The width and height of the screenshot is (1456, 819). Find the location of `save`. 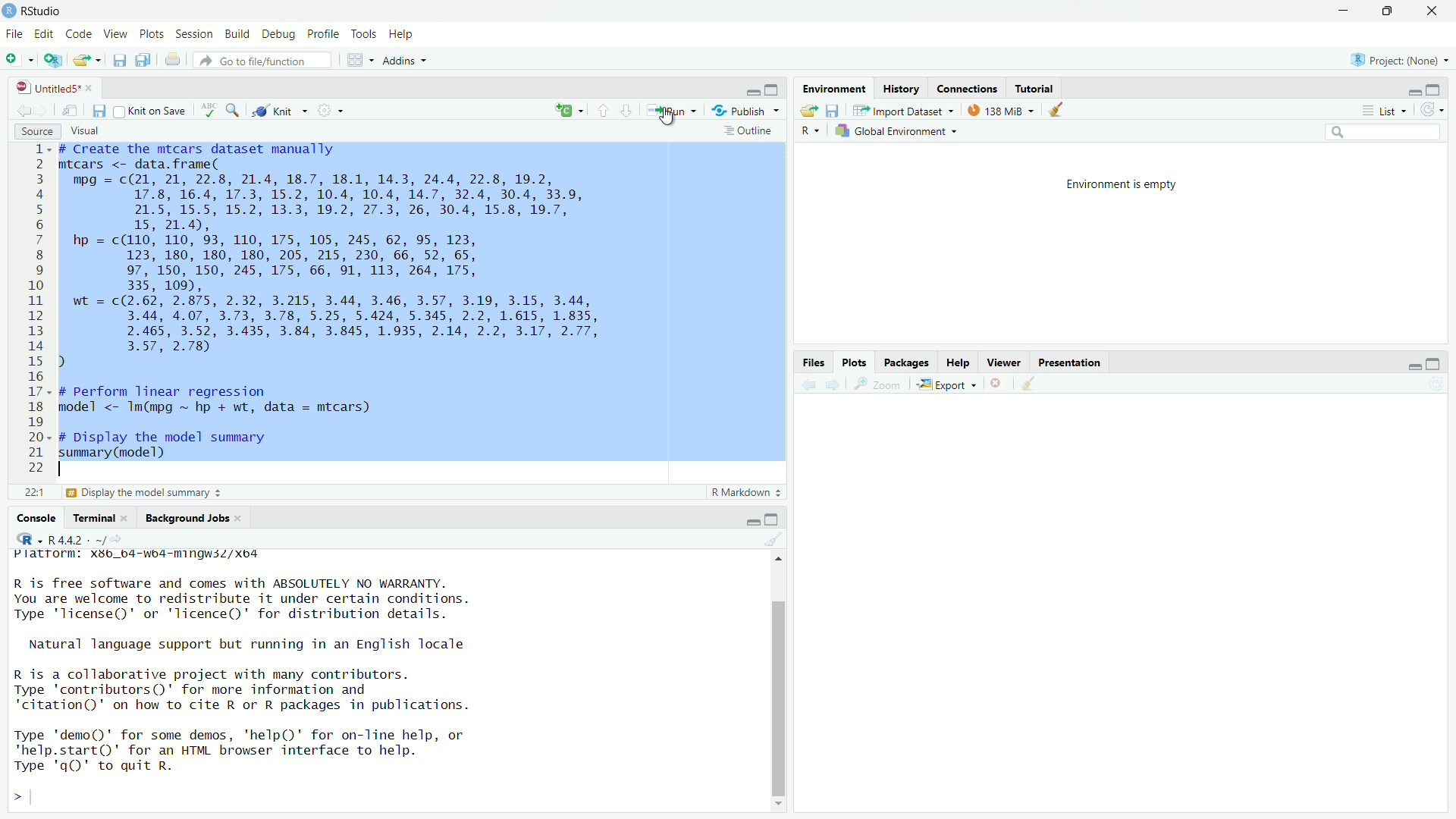

save is located at coordinates (99, 111).